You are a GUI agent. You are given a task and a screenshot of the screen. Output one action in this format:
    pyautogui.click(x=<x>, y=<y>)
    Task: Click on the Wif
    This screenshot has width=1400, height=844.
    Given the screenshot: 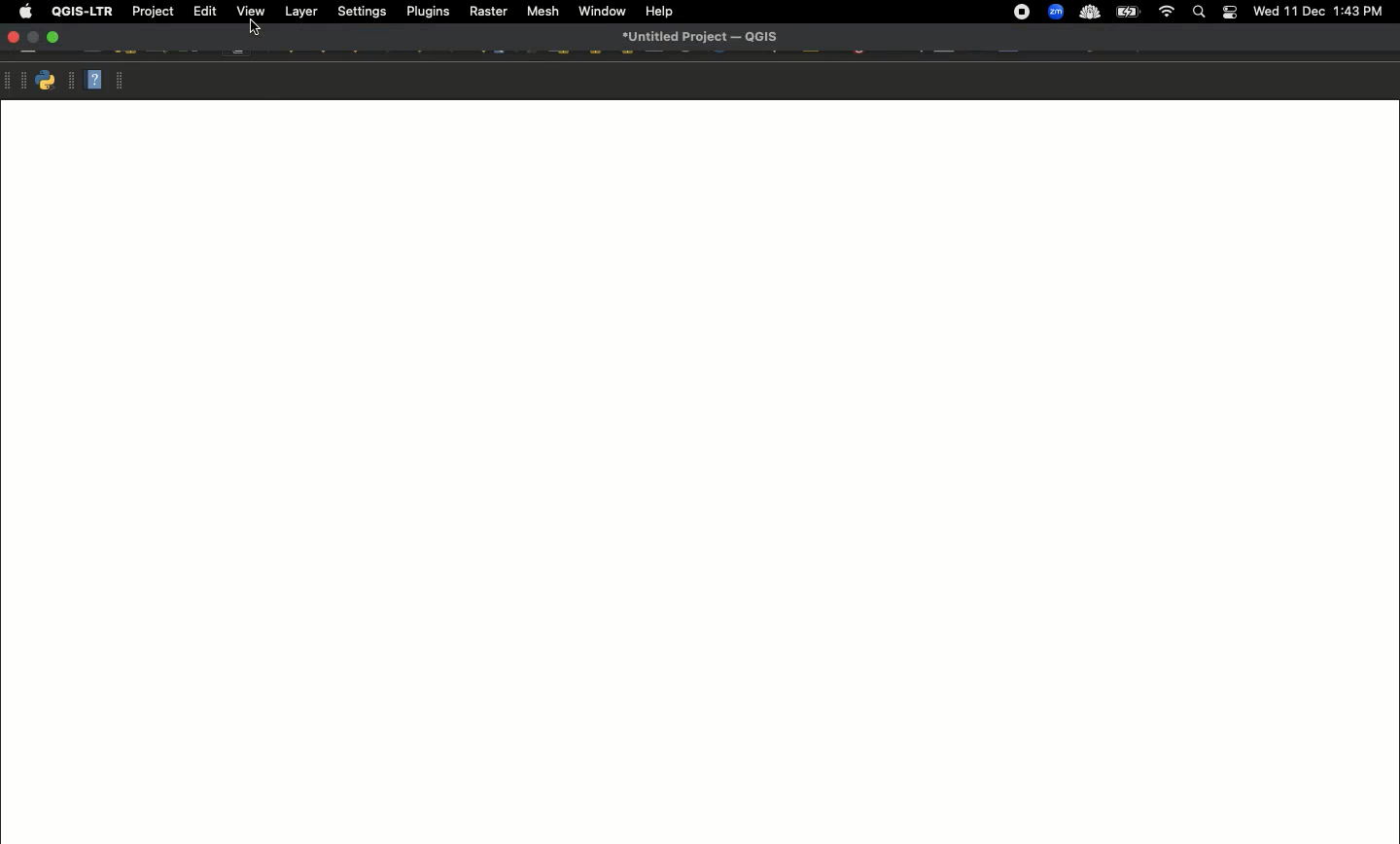 What is the action you would take?
    pyautogui.click(x=1167, y=13)
    